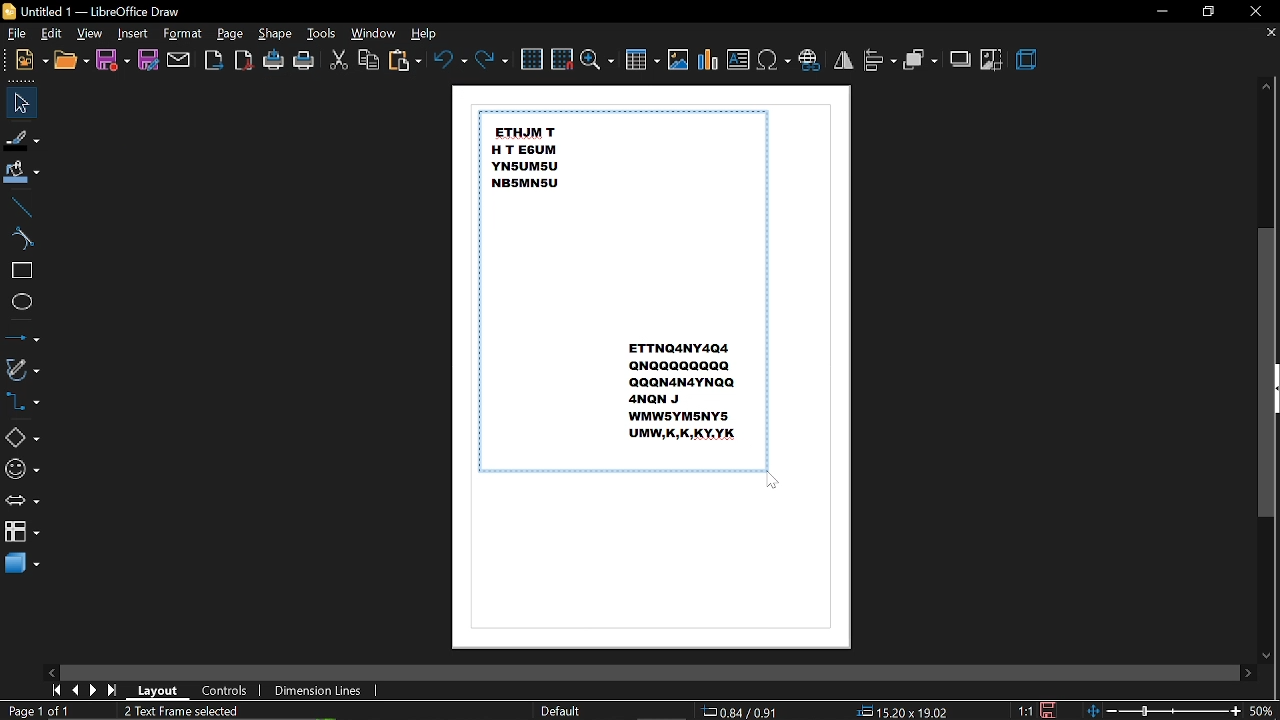 The image size is (1280, 720). What do you see at coordinates (229, 691) in the screenshot?
I see `controls` at bounding box center [229, 691].